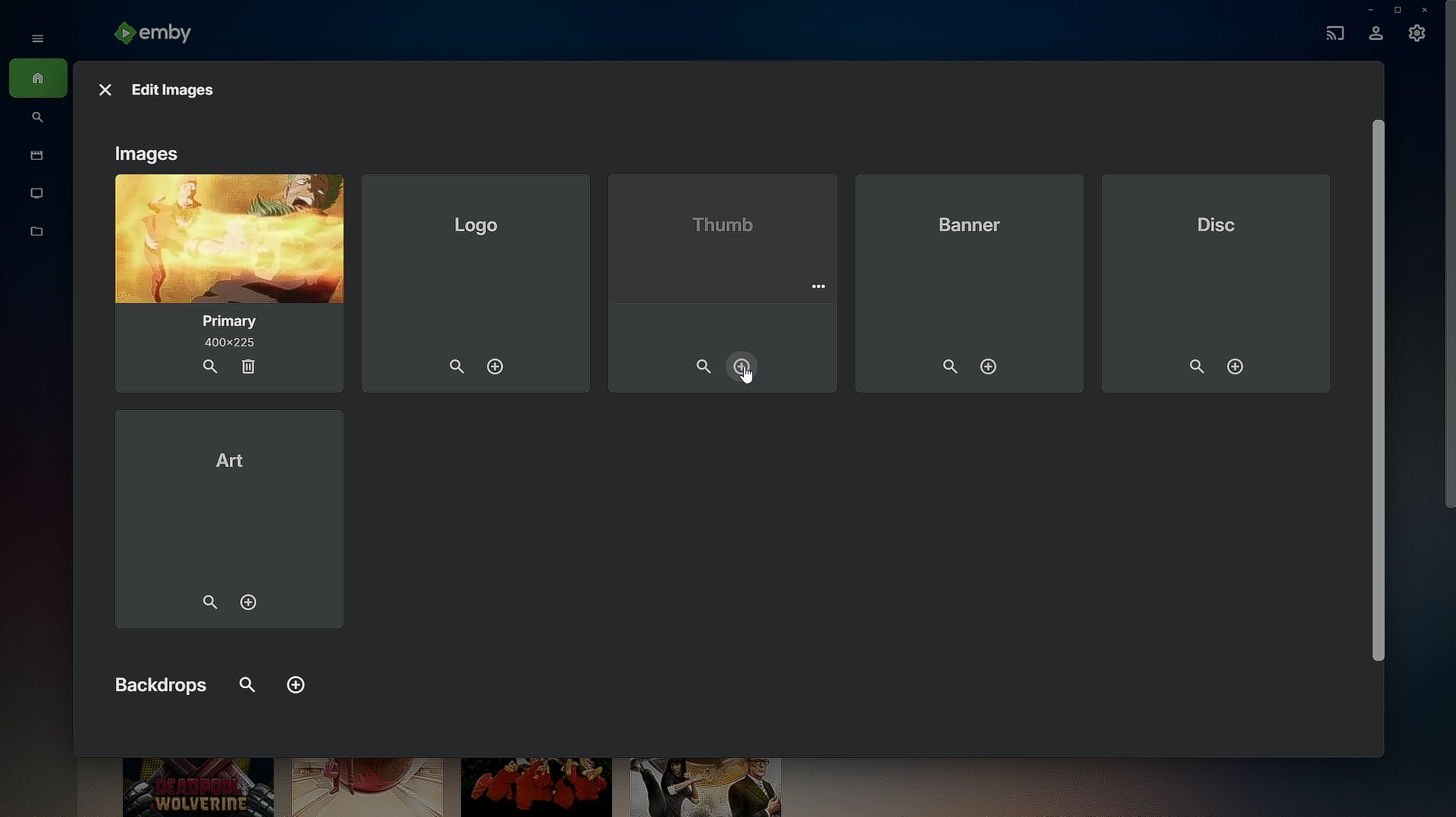  I want to click on Images, so click(149, 155).